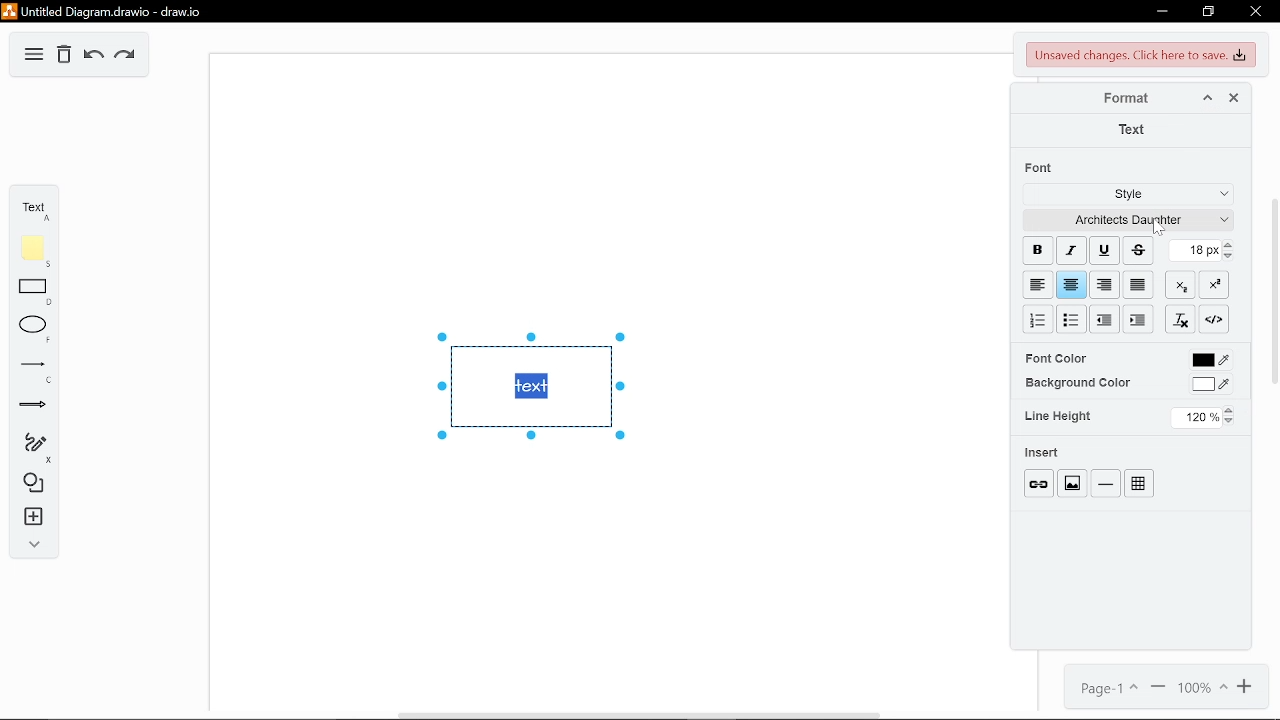  I want to click on subscript, so click(1182, 286).